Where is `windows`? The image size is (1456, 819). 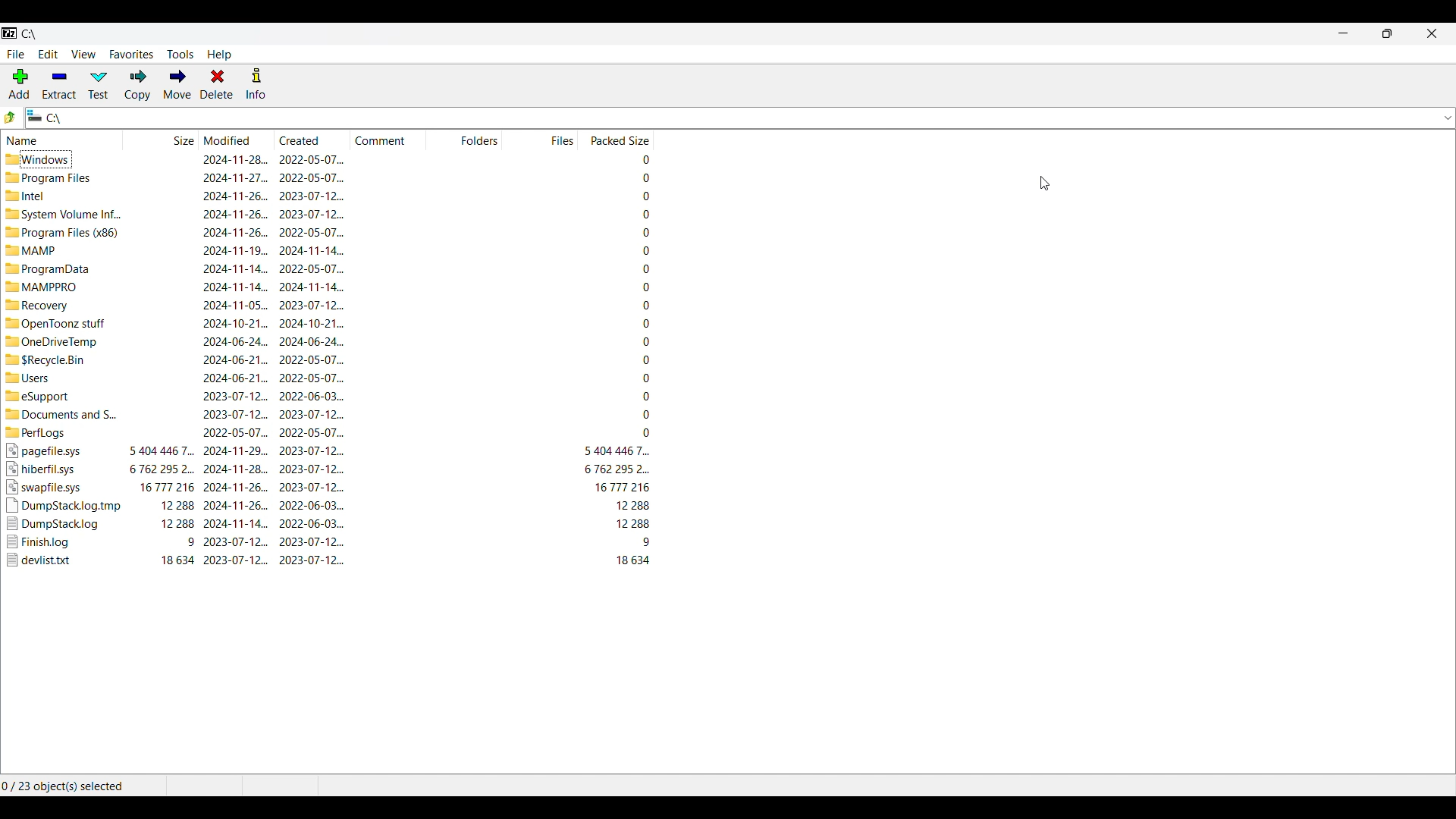 windows is located at coordinates (58, 158).